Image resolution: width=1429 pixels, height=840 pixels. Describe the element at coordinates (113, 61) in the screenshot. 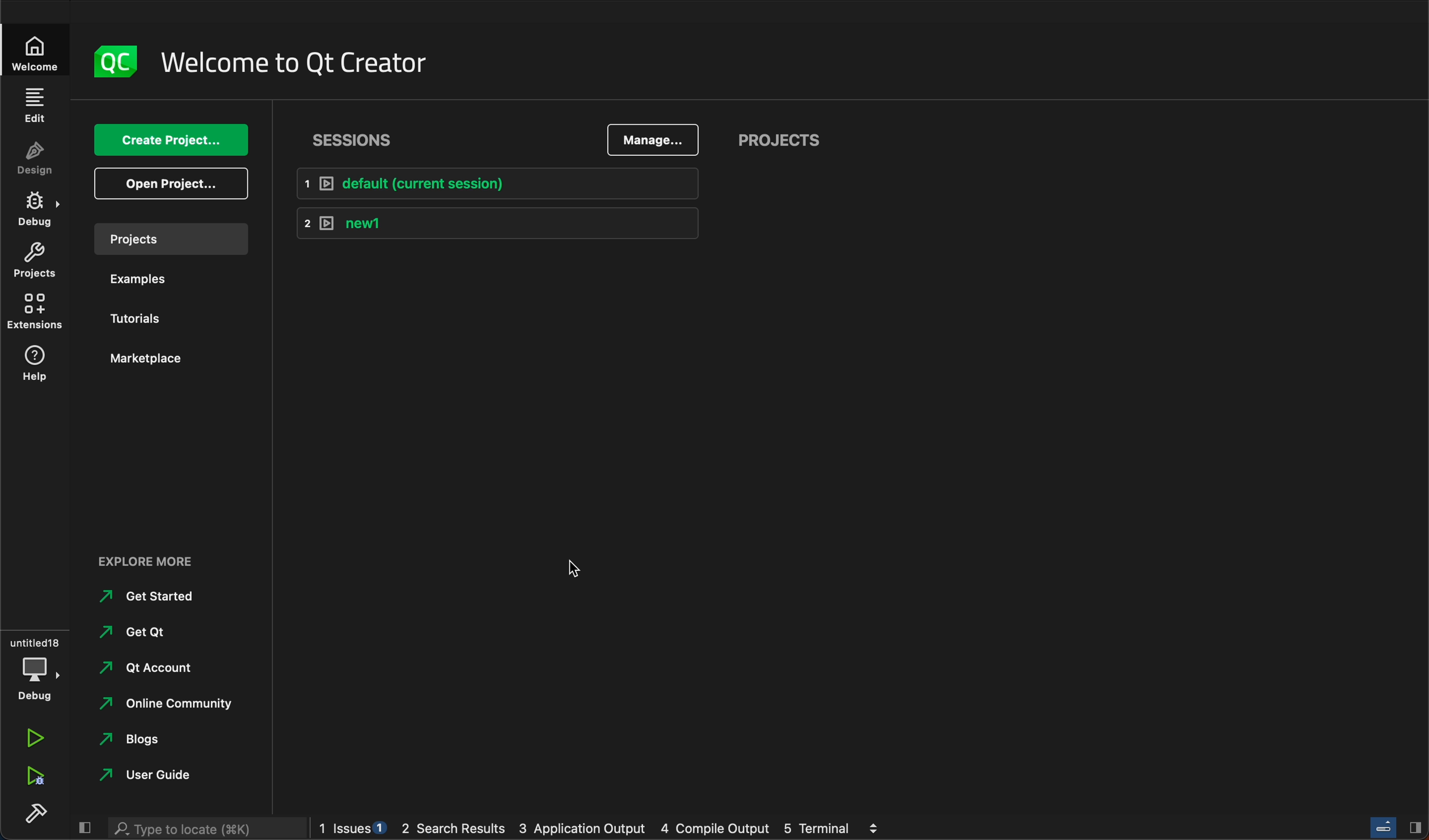

I see `logo` at that location.